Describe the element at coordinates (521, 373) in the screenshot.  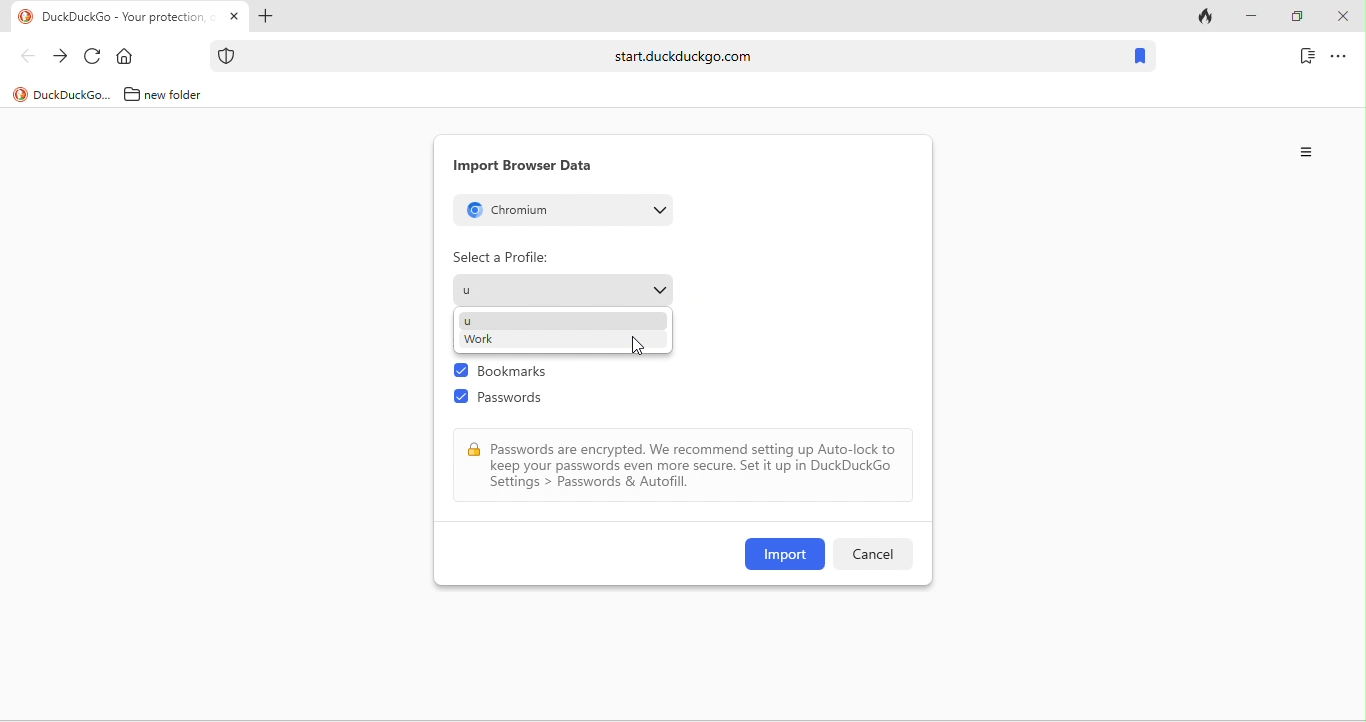
I see `bookmarks` at that location.